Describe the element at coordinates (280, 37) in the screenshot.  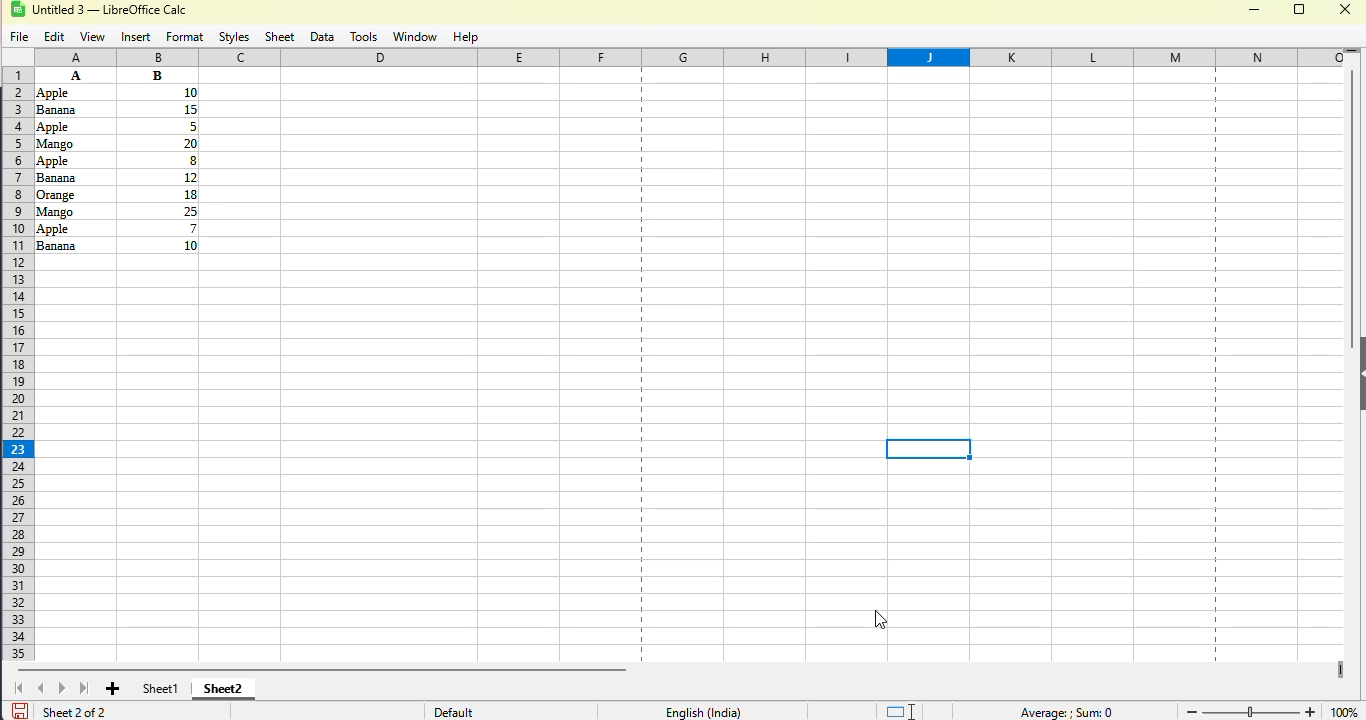
I see `sheet` at that location.